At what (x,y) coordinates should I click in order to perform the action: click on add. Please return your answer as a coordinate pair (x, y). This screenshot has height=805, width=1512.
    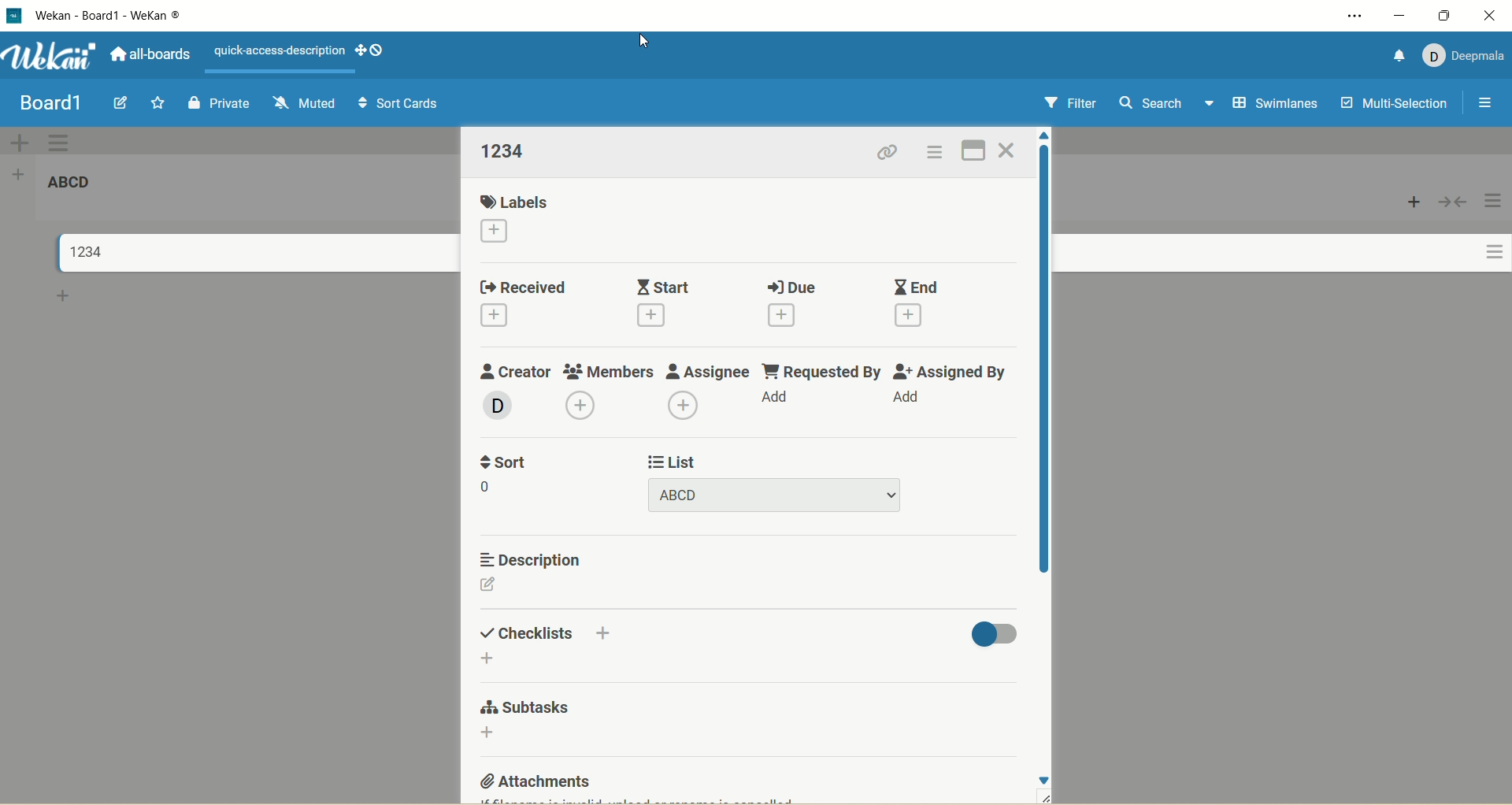
    Looking at the image, I should click on (491, 736).